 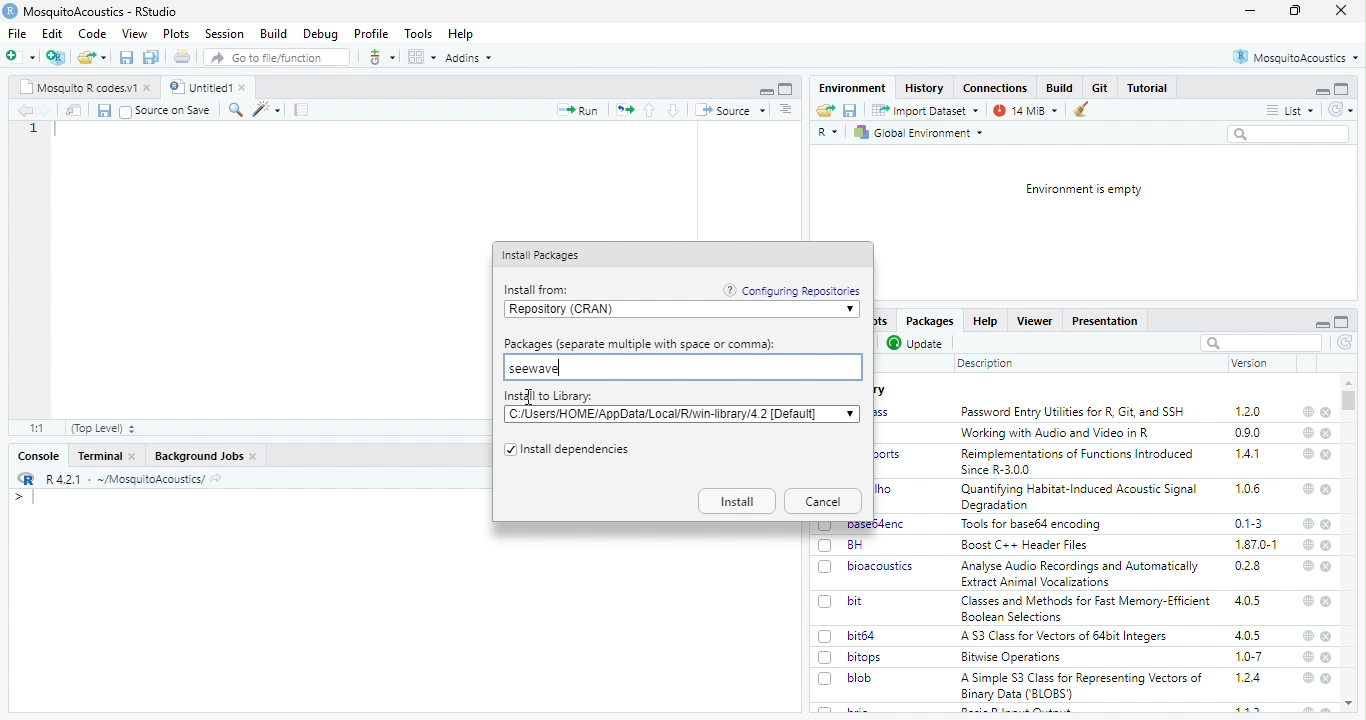 What do you see at coordinates (254, 457) in the screenshot?
I see `close` at bounding box center [254, 457].